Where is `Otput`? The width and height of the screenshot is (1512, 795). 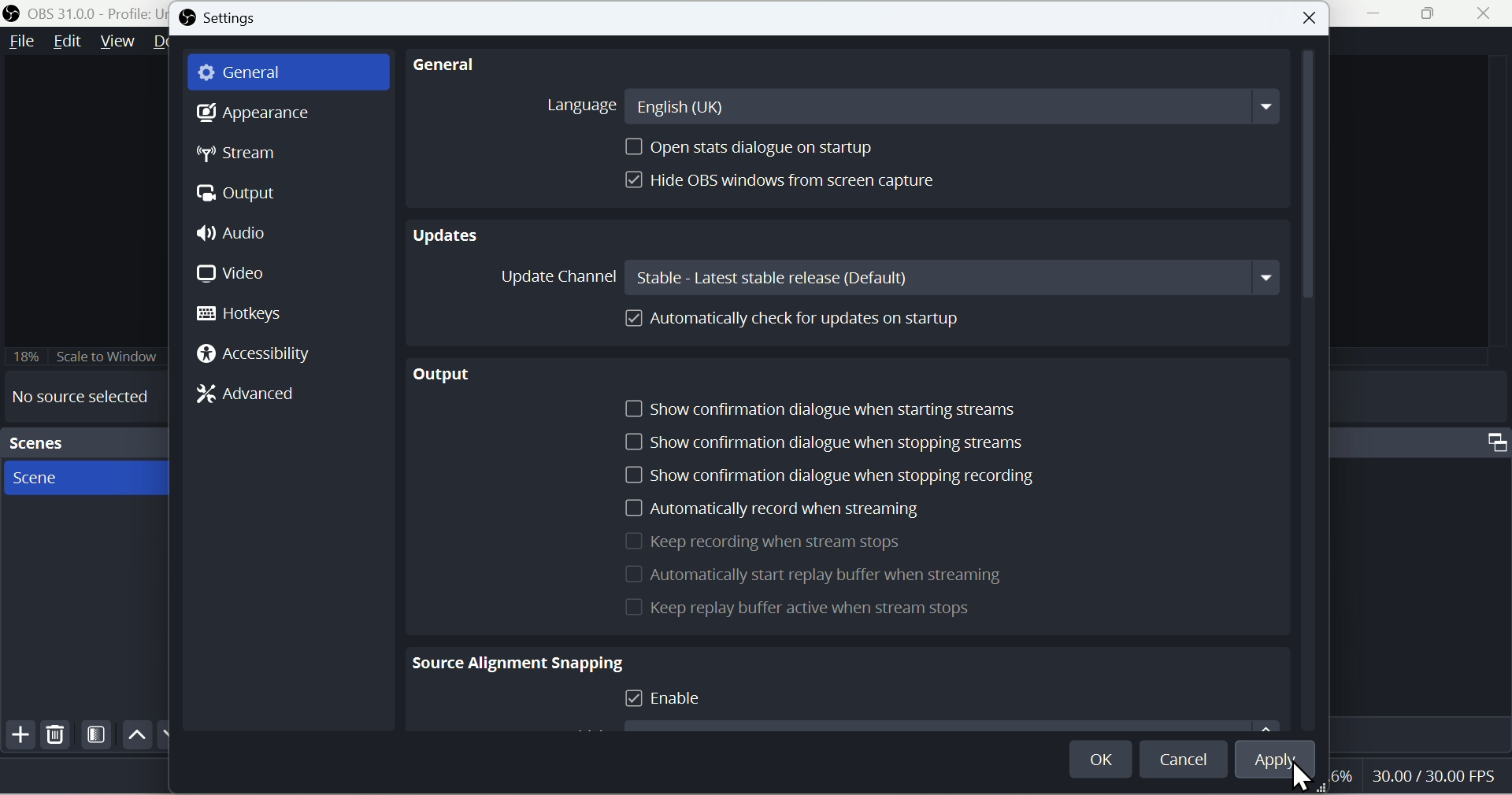 Otput is located at coordinates (241, 195).